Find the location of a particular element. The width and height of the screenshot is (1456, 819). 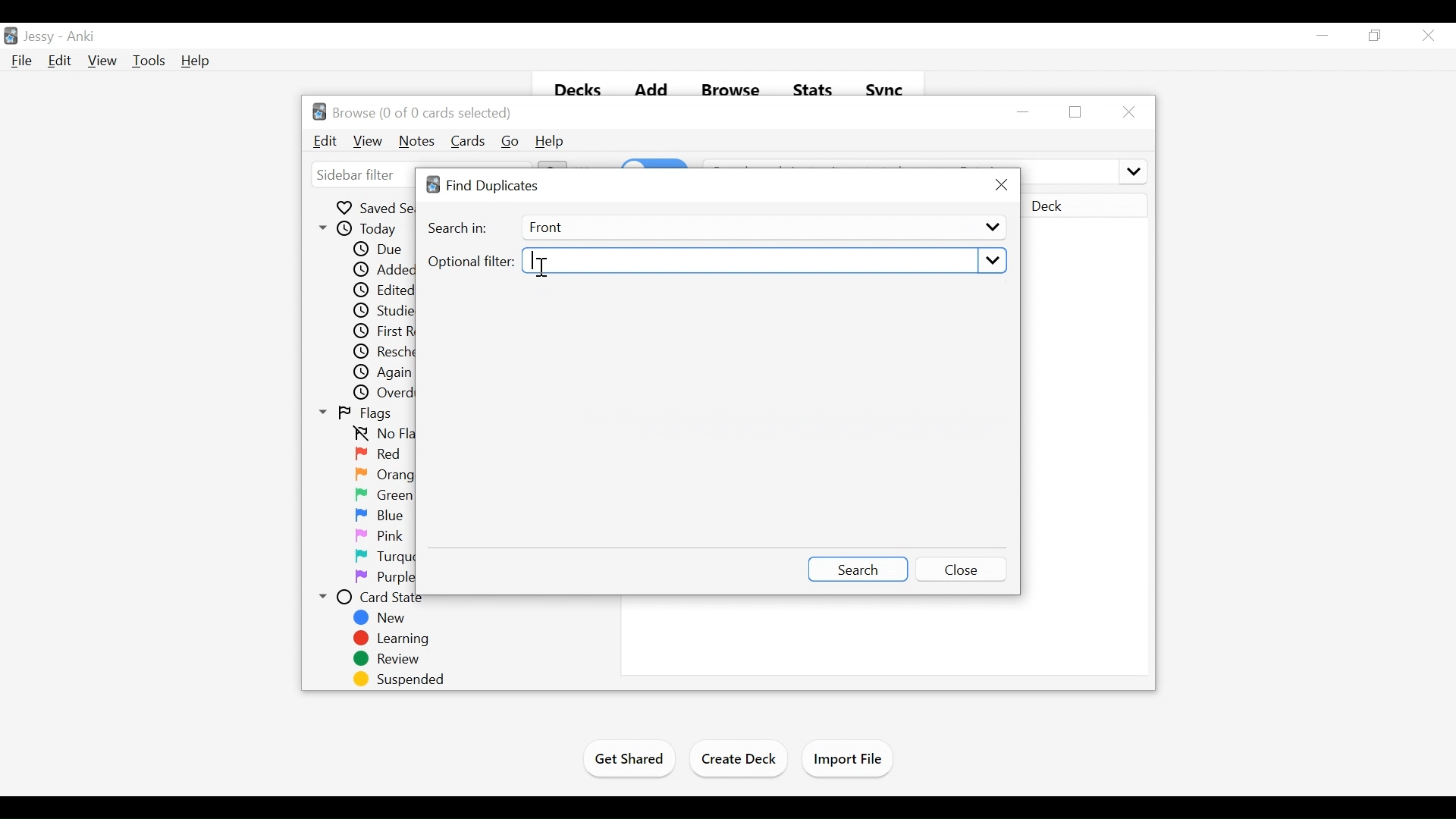

Card State is located at coordinates (377, 598).